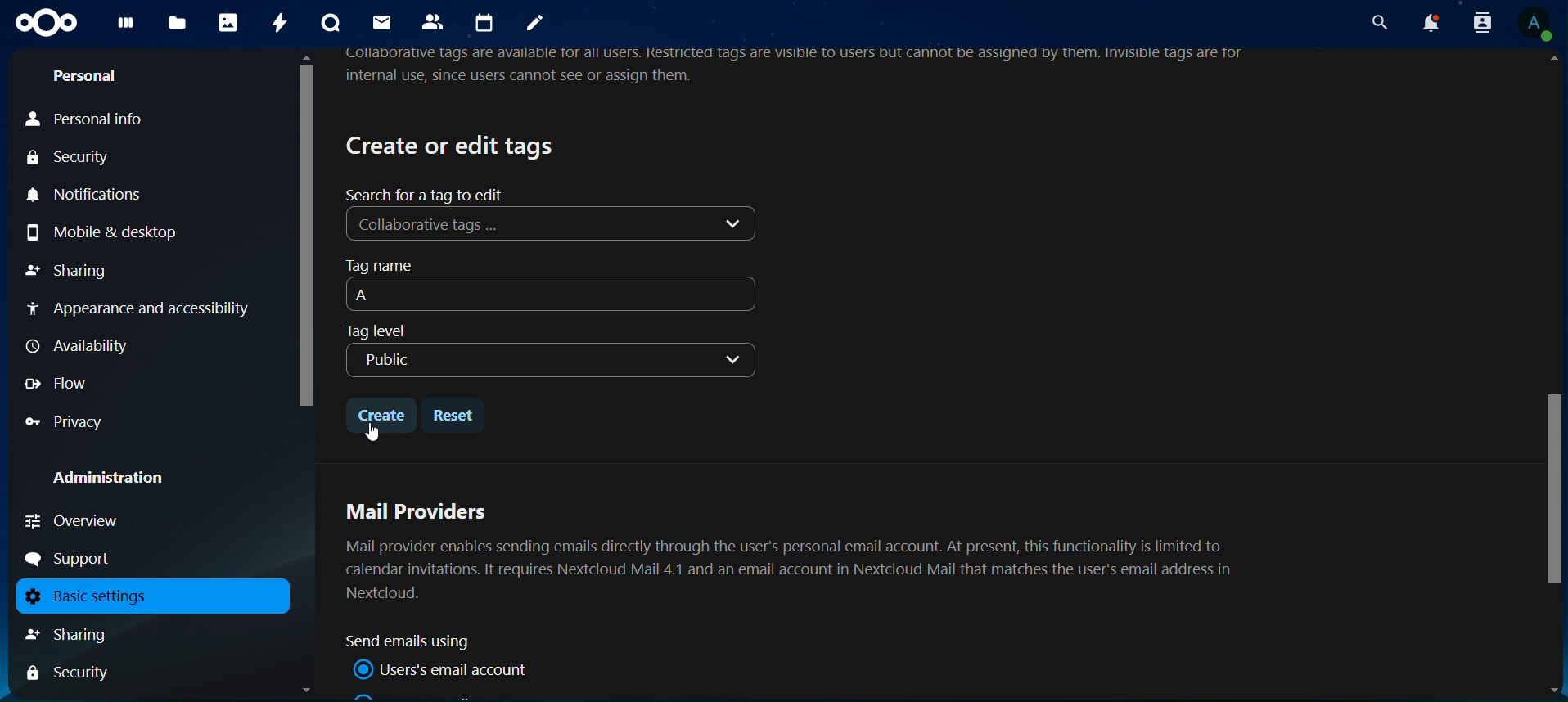 Image resolution: width=1568 pixels, height=702 pixels. Describe the element at coordinates (74, 520) in the screenshot. I see `overview` at that location.